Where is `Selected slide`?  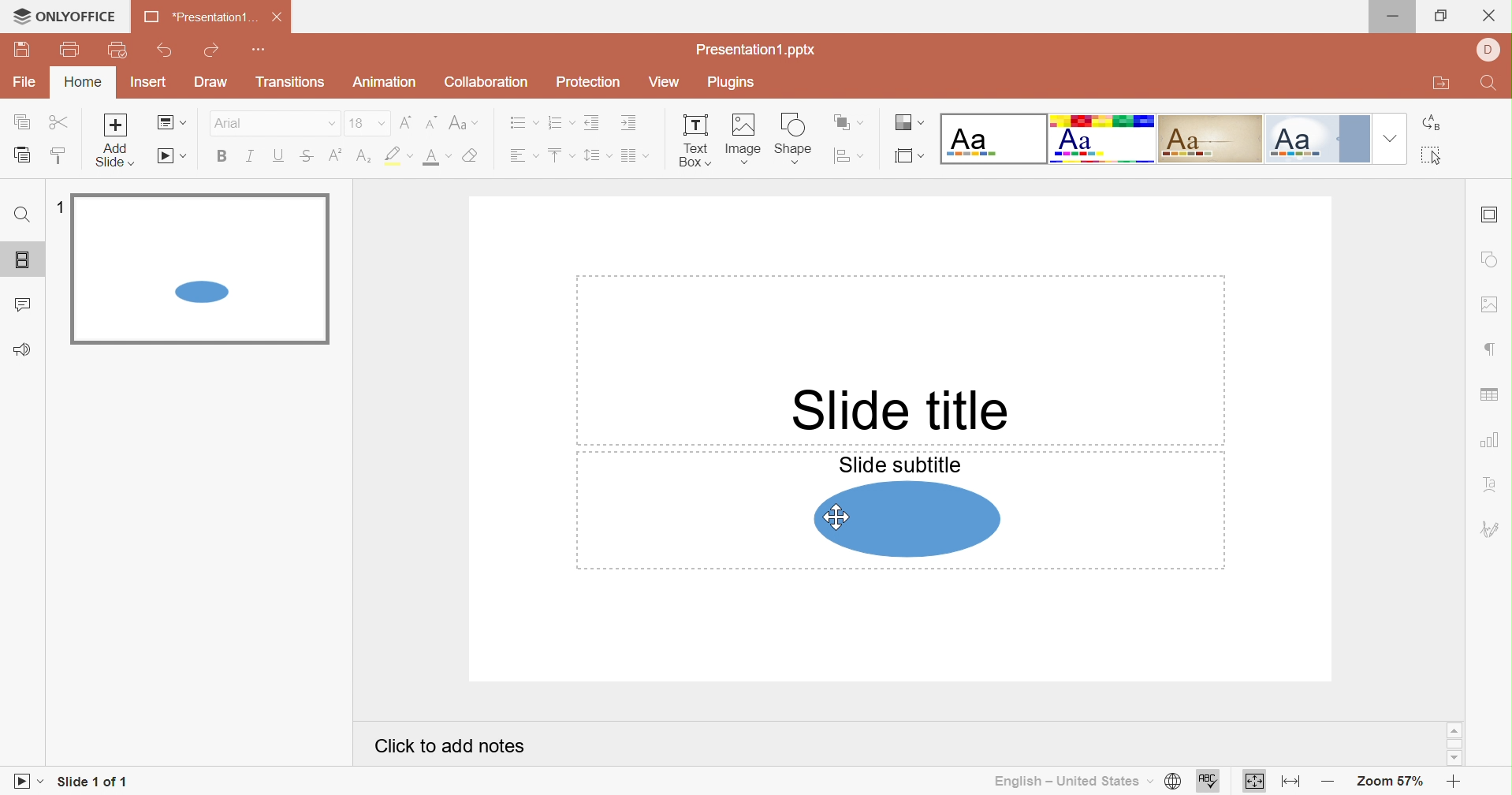 Selected slide is located at coordinates (200, 269).